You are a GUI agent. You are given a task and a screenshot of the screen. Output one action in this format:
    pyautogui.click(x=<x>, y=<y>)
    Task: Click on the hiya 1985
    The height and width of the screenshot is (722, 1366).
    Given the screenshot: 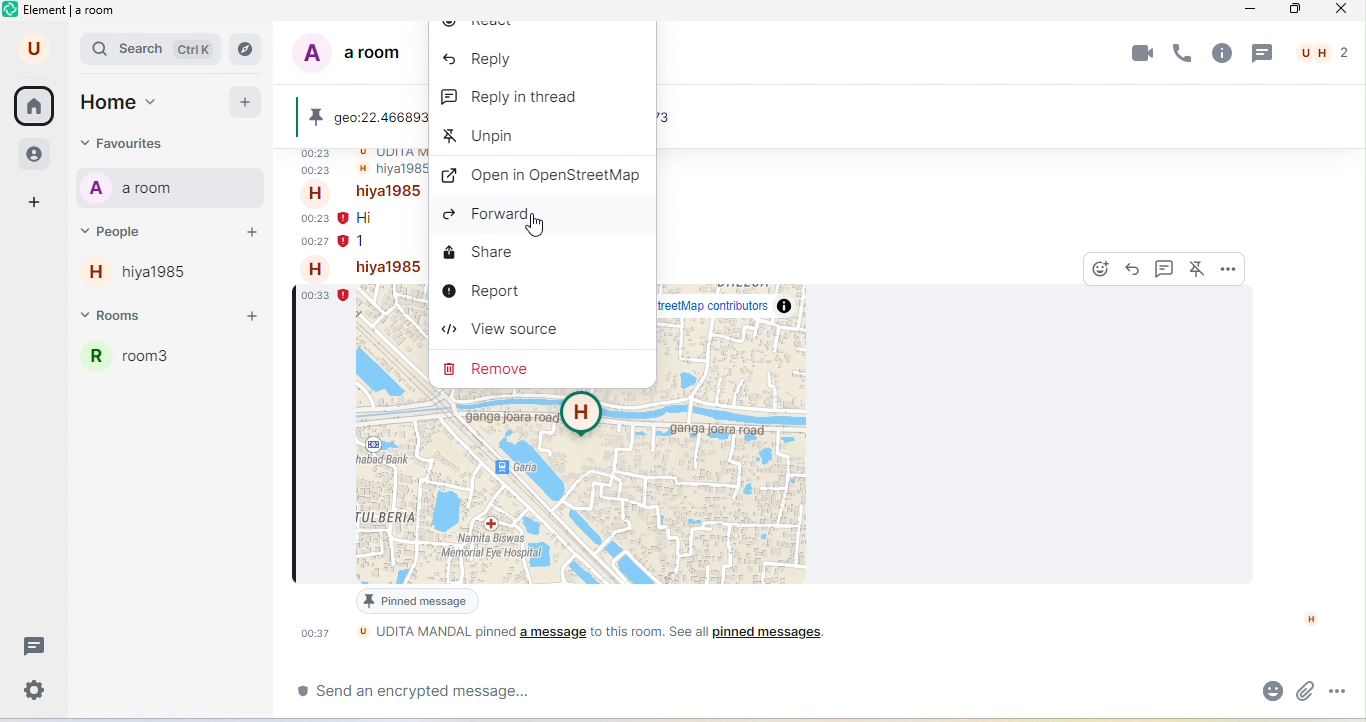 What is the action you would take?
    pyautogui.click(x=388, y=192)
    